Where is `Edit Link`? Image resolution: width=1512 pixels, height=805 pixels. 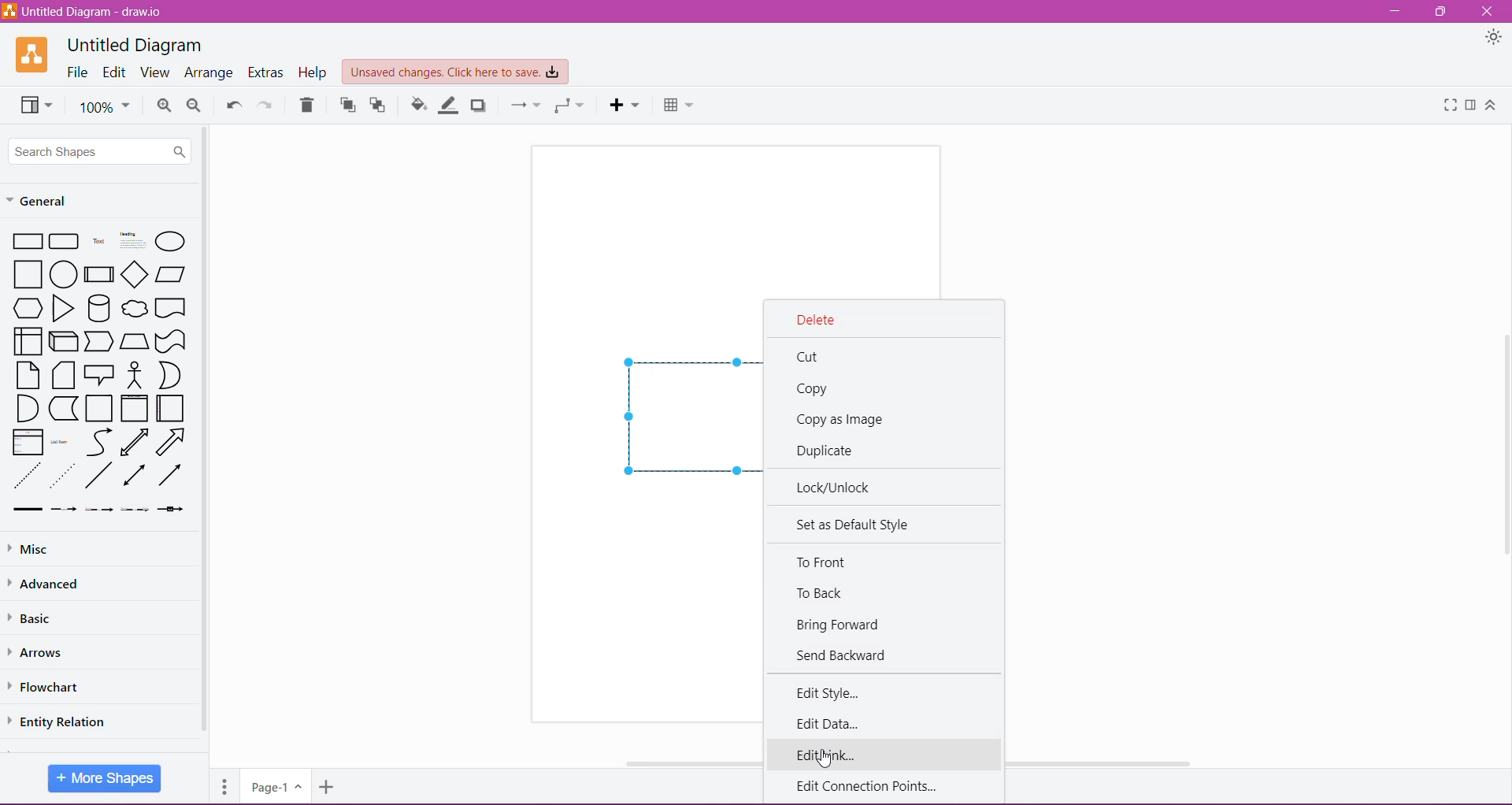 Edit Link is located at coordinates (886, 754).